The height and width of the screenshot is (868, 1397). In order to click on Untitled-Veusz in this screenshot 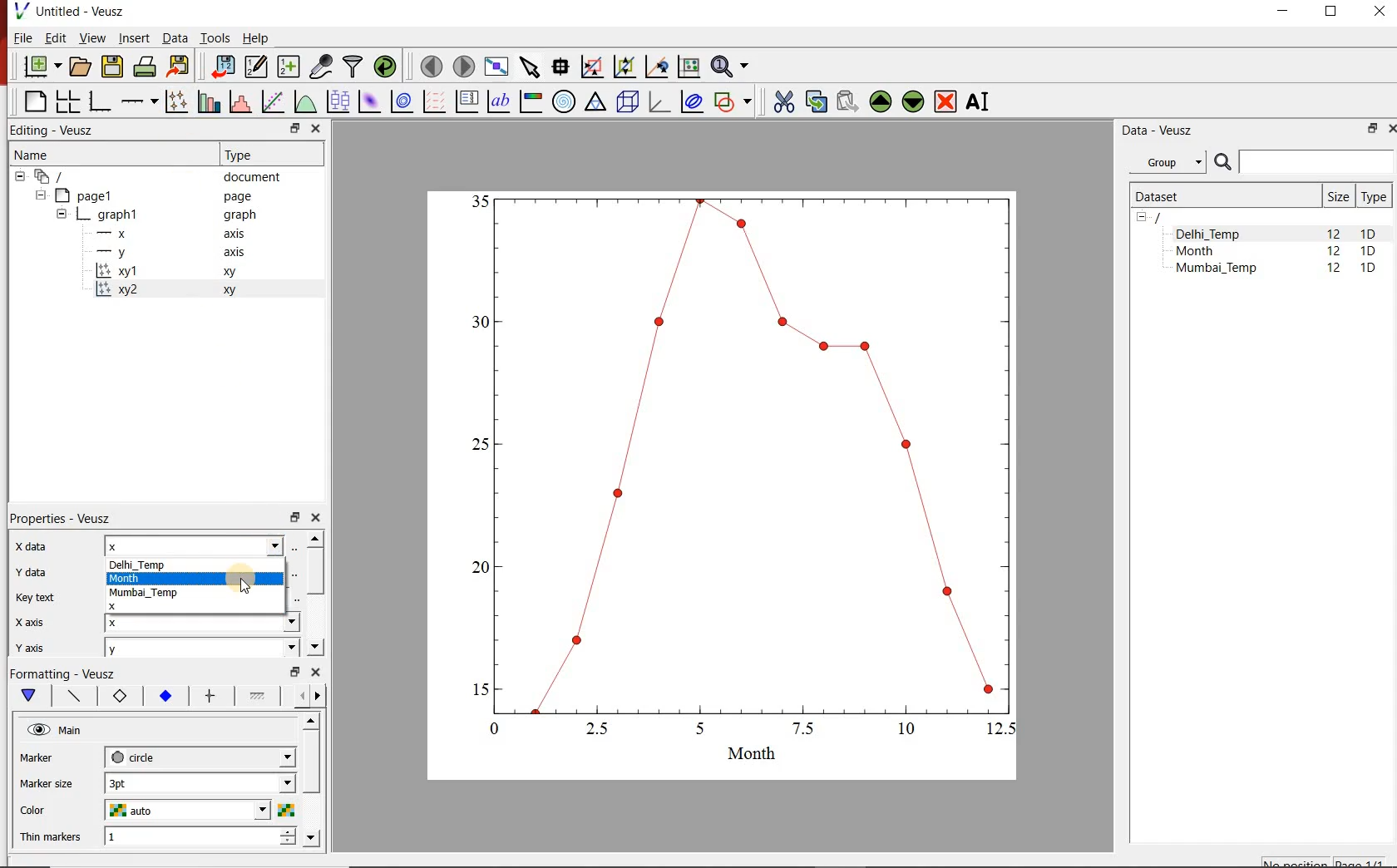, I will do `click(74, 11)`.